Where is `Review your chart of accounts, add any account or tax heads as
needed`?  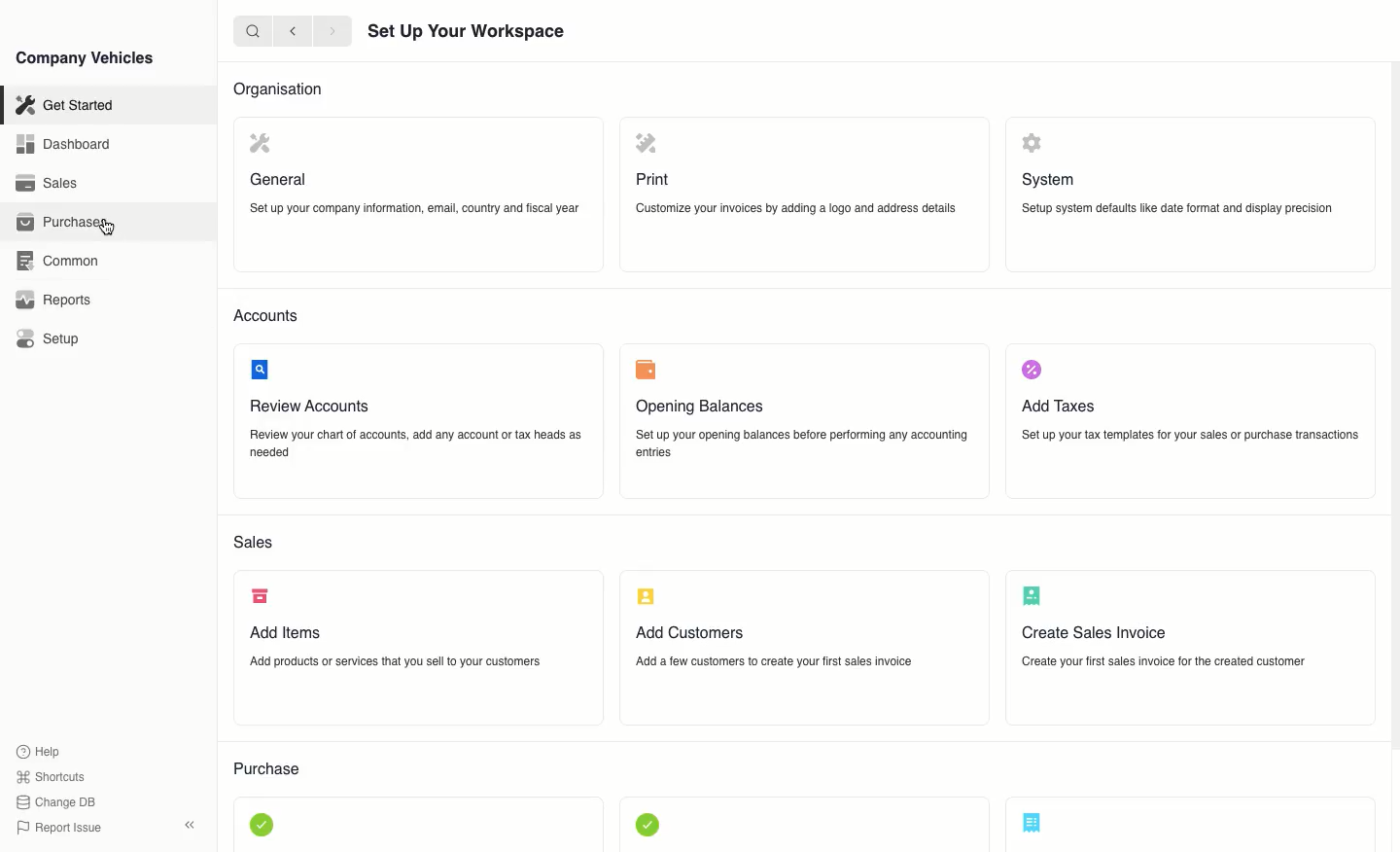
Review your chart of accounts, add any account or tax heads as
needed is located at coordinates (415, 444).